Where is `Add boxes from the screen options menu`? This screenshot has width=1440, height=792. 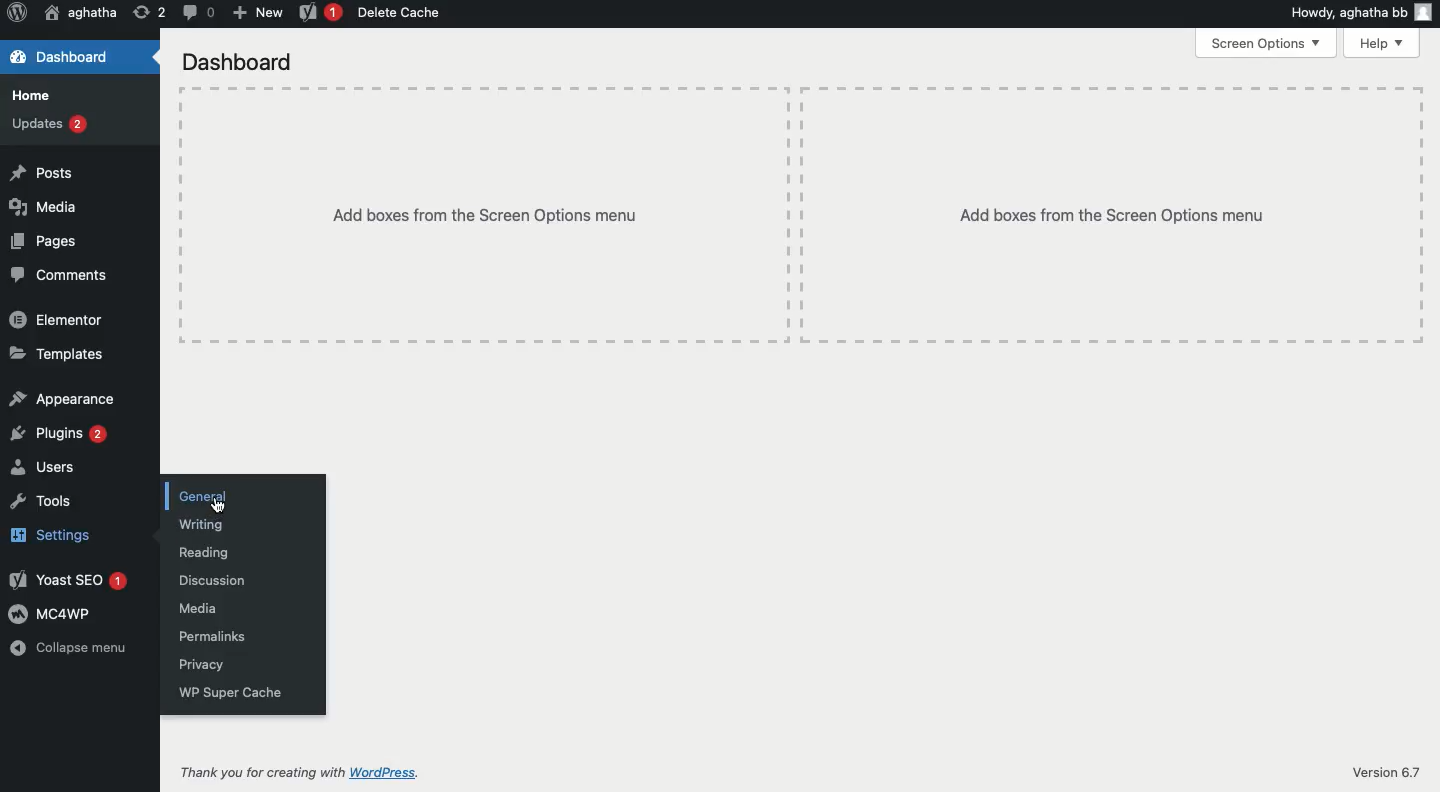
Add boxes from the screen options menu is located at coordinates (800, 216).